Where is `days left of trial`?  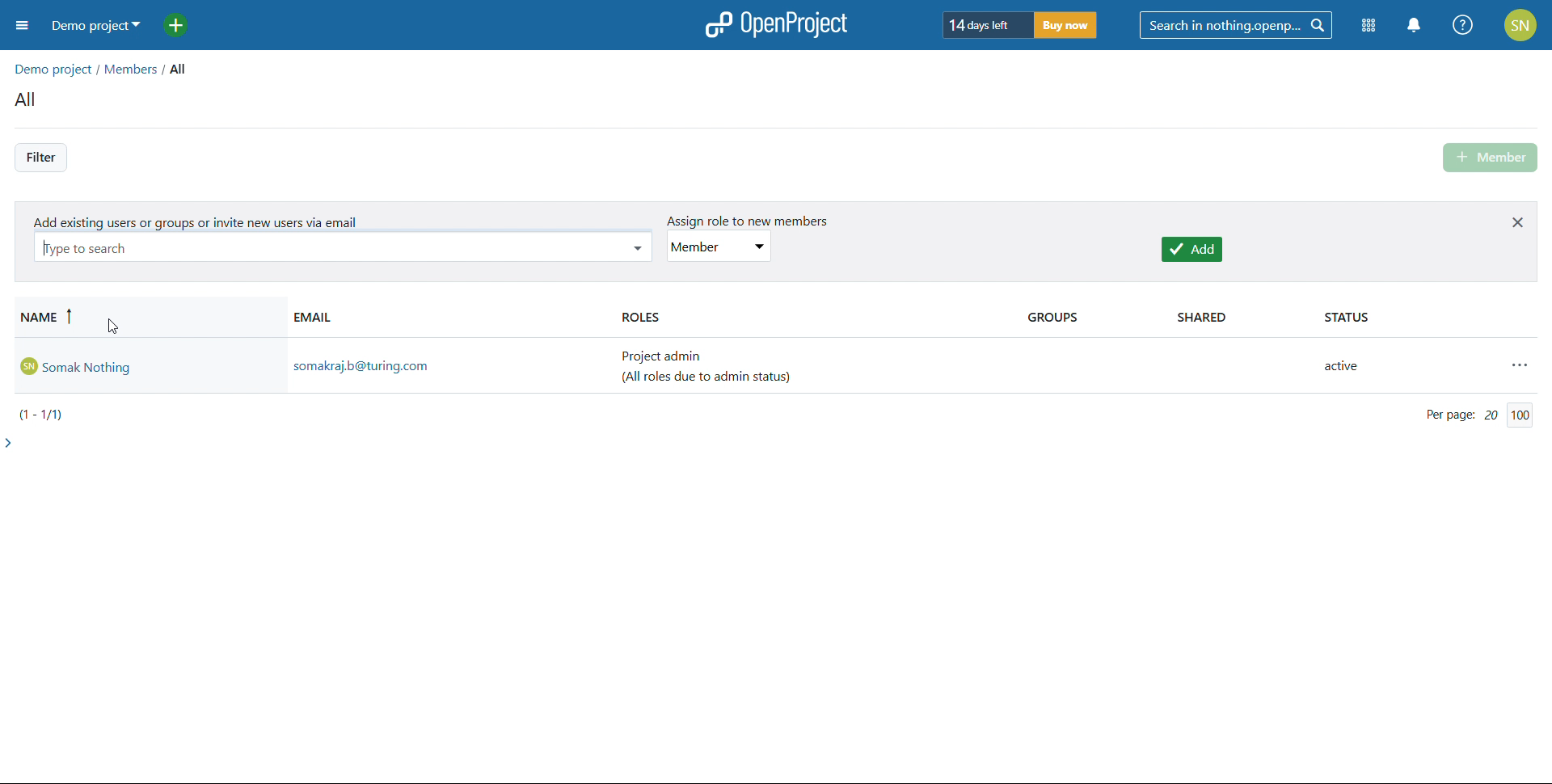
days left of trial is located at coordinates (987, 24).